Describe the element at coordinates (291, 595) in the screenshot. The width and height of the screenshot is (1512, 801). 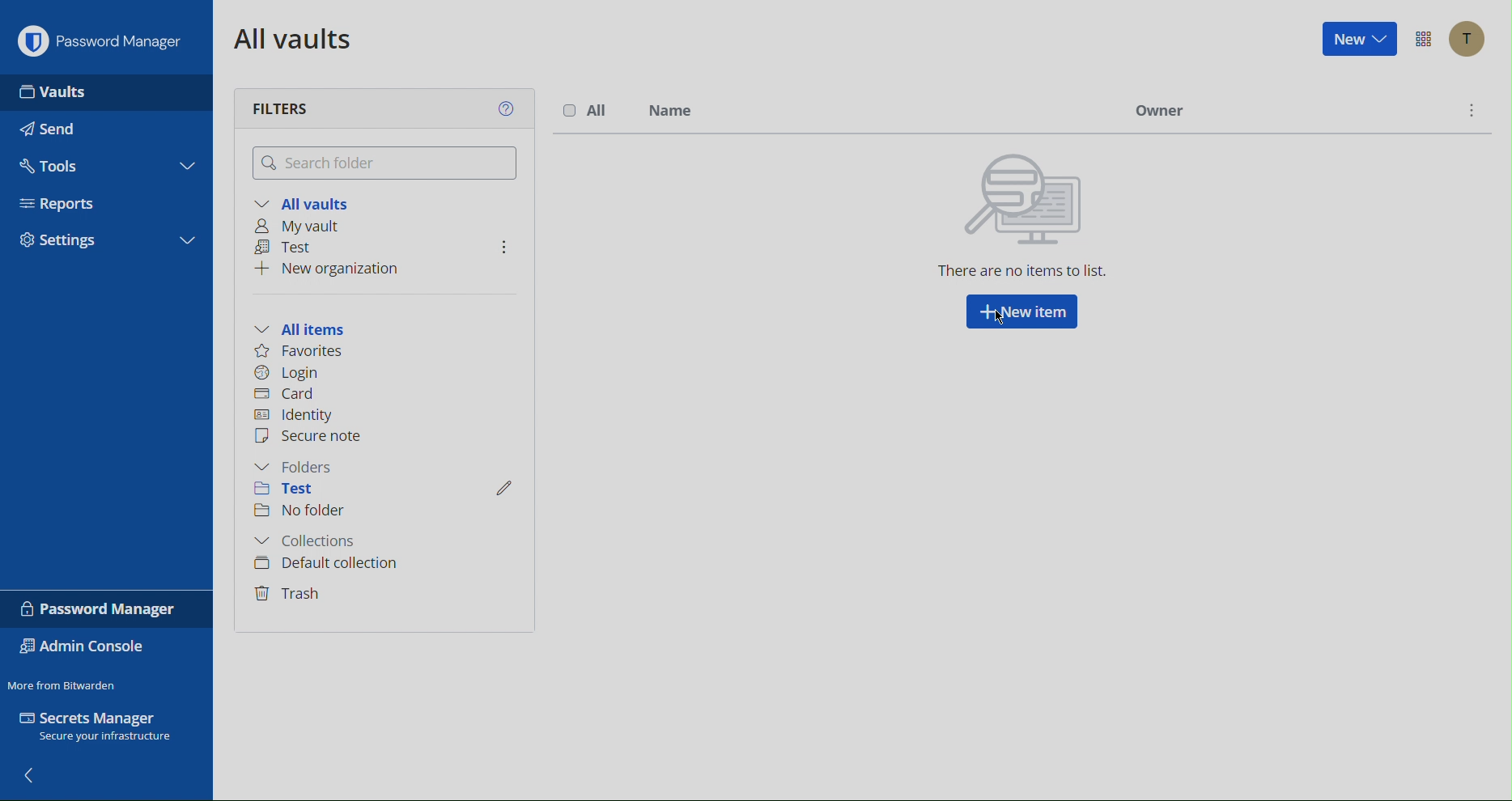
I see `Trash` at that location.